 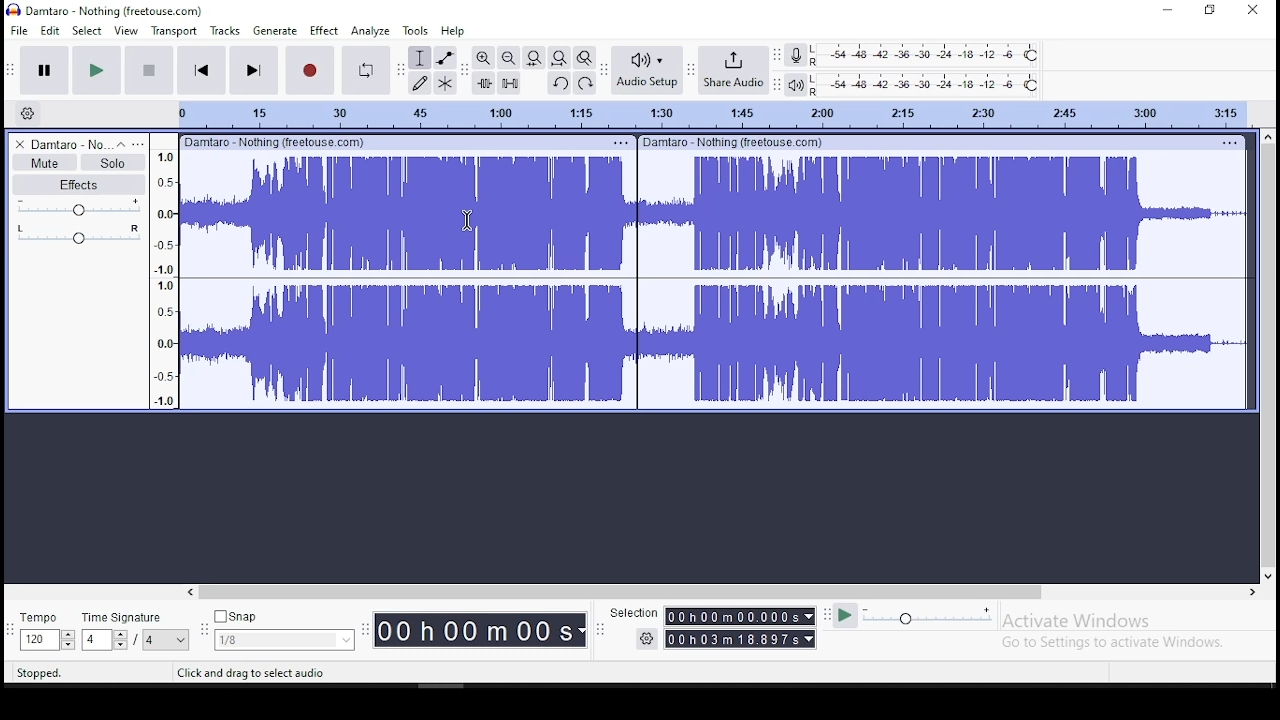 I want to click on view, so click(x=127, y=29).